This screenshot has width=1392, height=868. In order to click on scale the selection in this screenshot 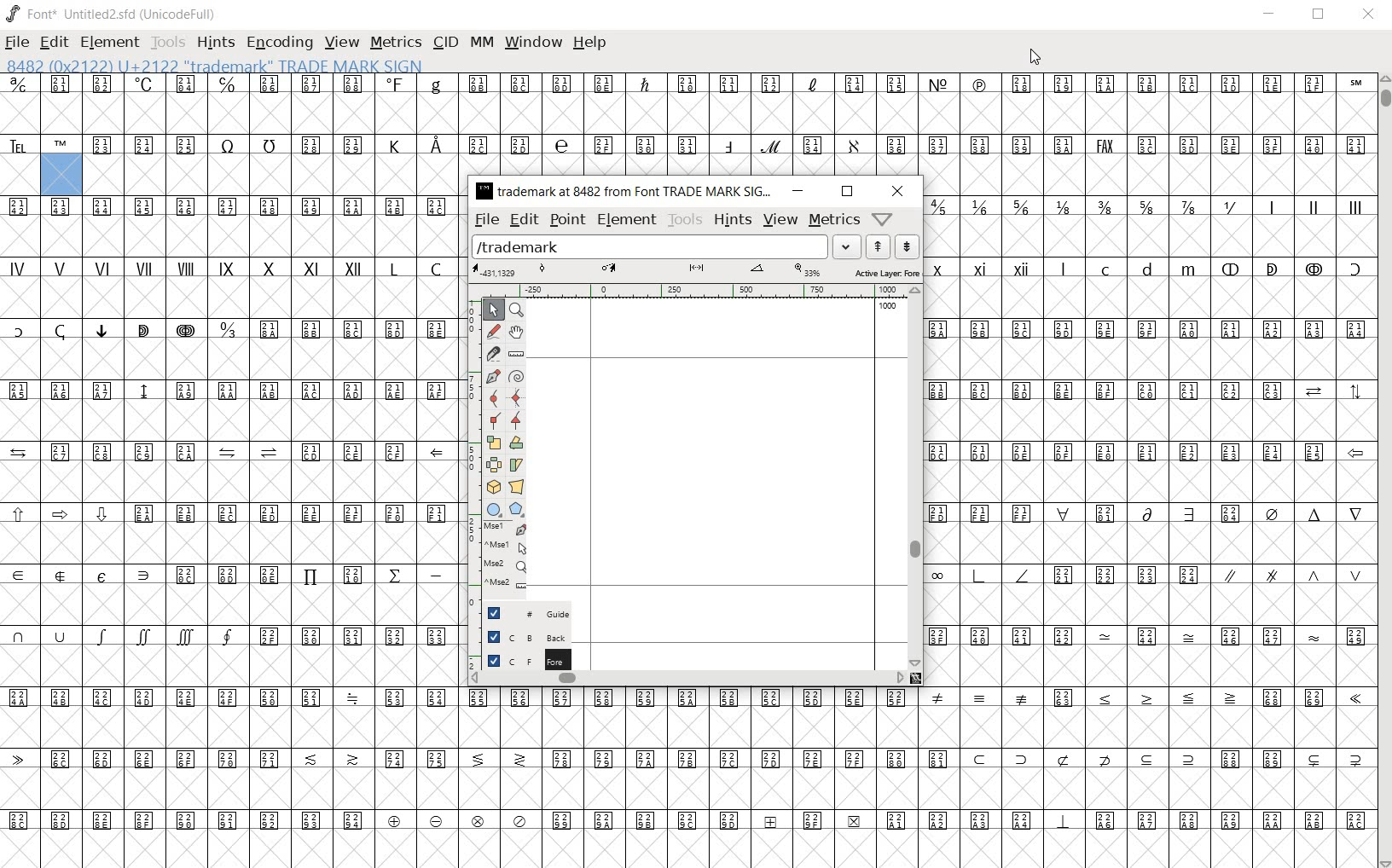, I will do `click(494, 441)`.